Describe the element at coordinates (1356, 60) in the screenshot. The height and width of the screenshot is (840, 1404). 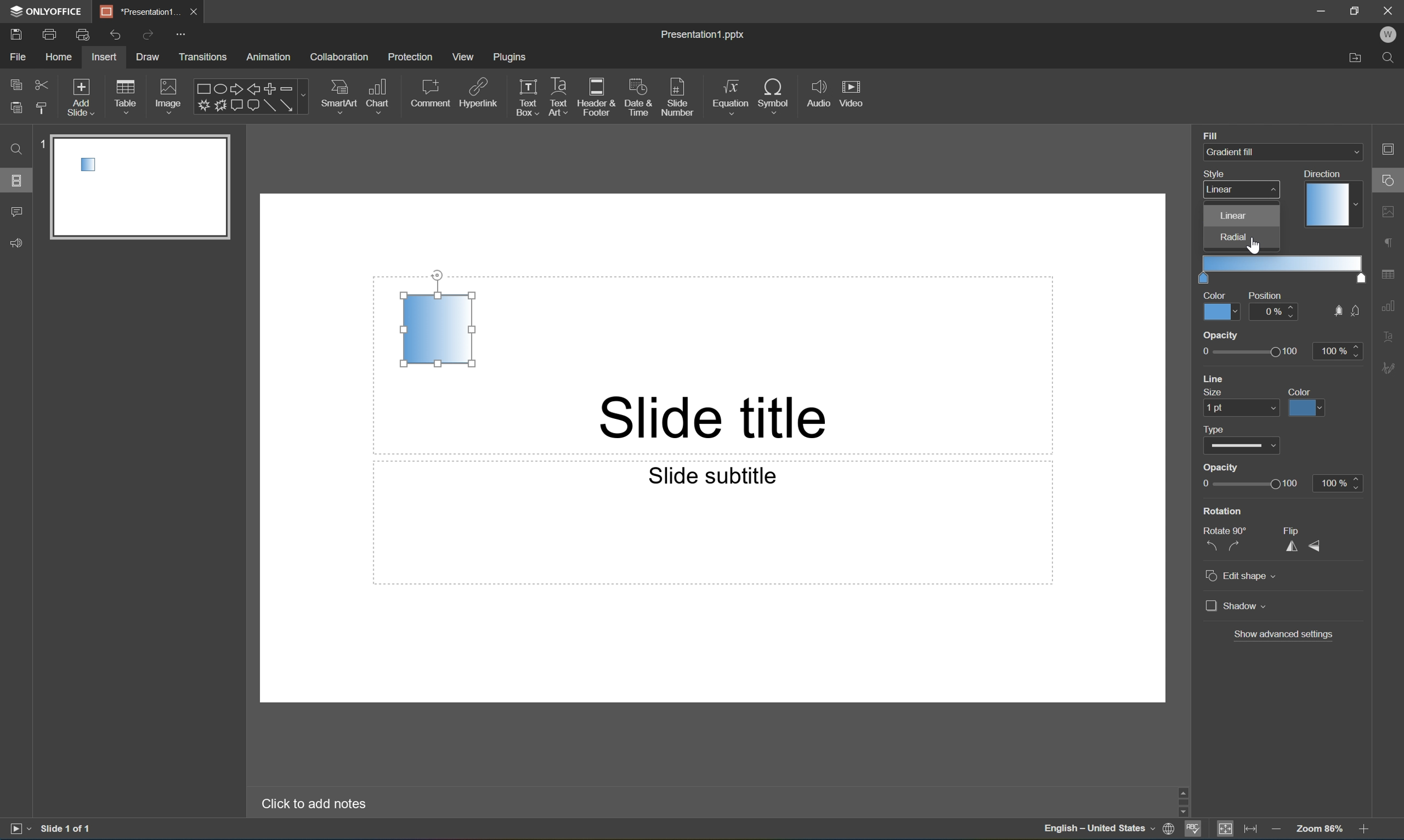
I see `Open file location` at that location.